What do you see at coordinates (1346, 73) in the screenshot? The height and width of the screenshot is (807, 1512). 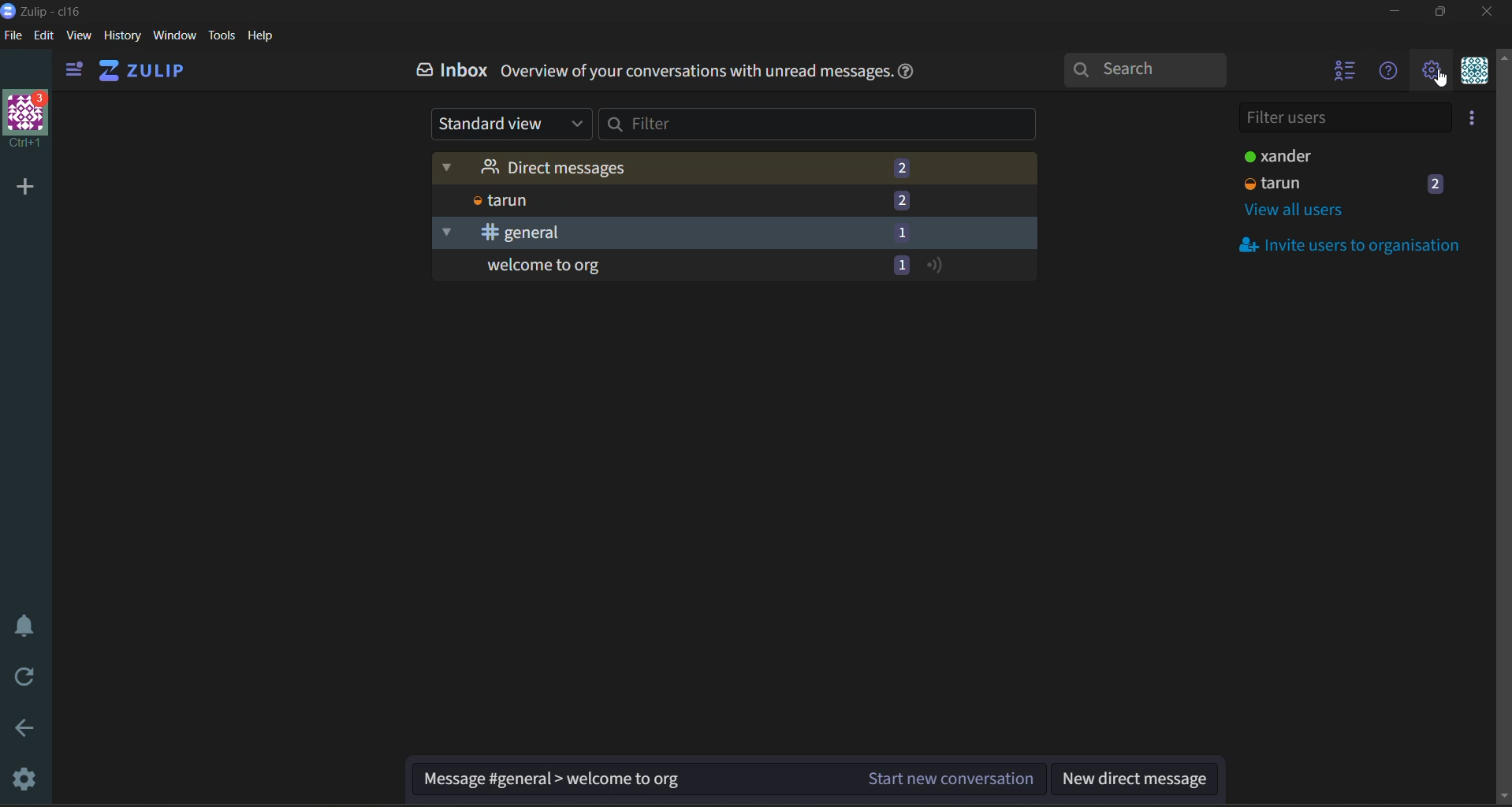 I see `hide users list` at bounding box center [1346, 73].